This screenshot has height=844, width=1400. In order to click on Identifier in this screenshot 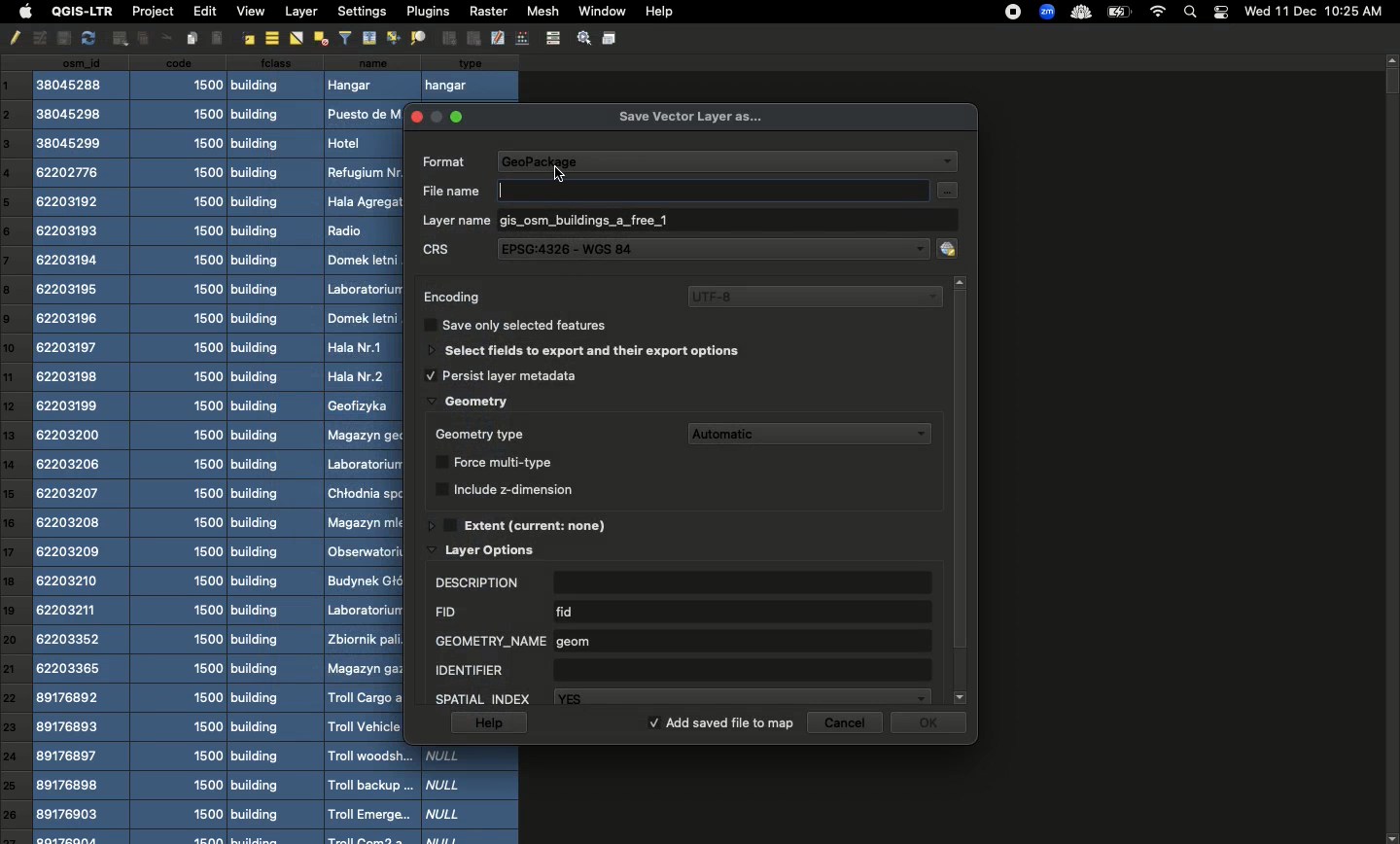, I will do `click(683, 672)`.